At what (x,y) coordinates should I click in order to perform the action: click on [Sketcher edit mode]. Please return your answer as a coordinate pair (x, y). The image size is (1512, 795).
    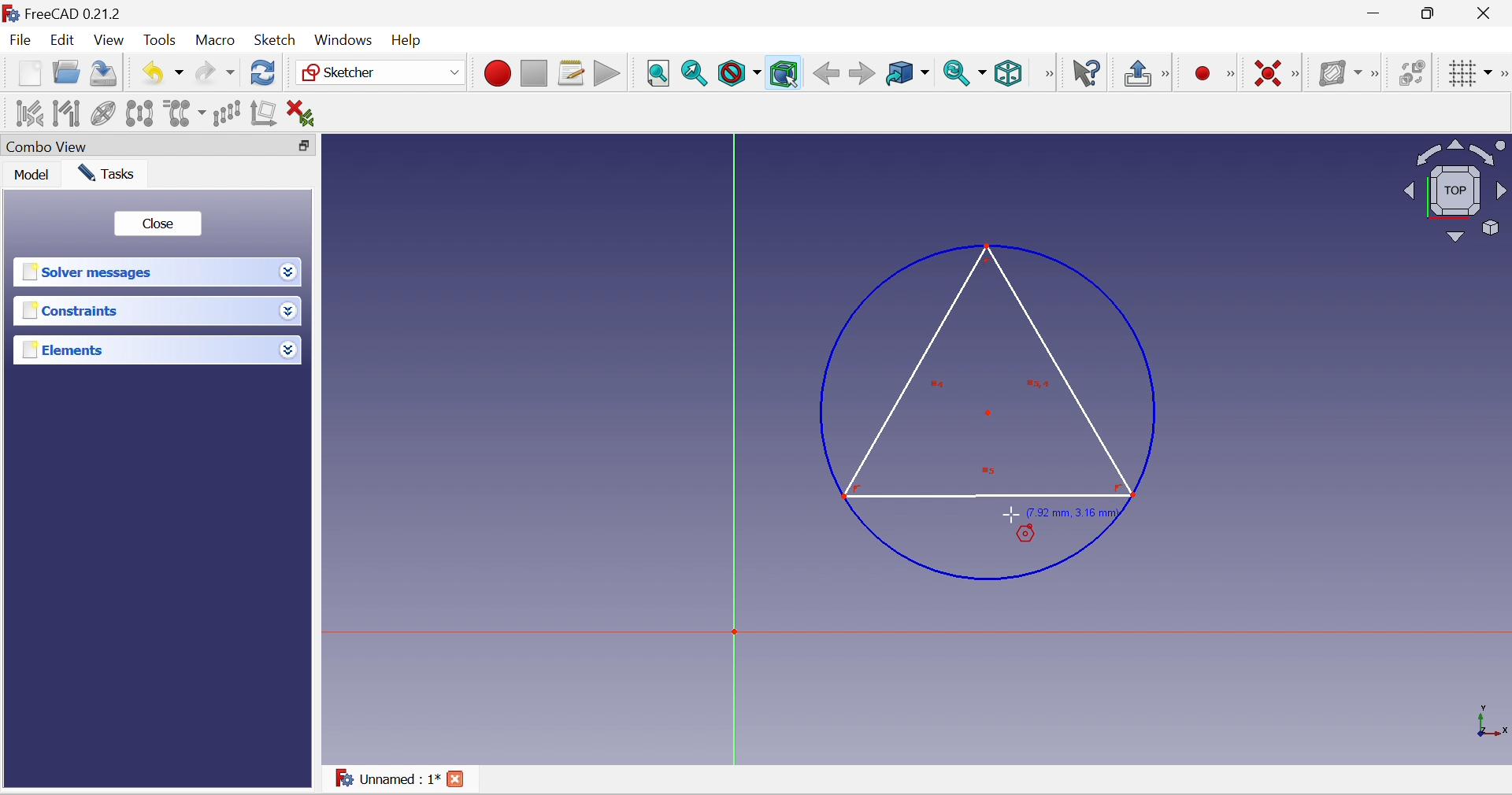
    Looking at the image, I should click on (1171, 75).